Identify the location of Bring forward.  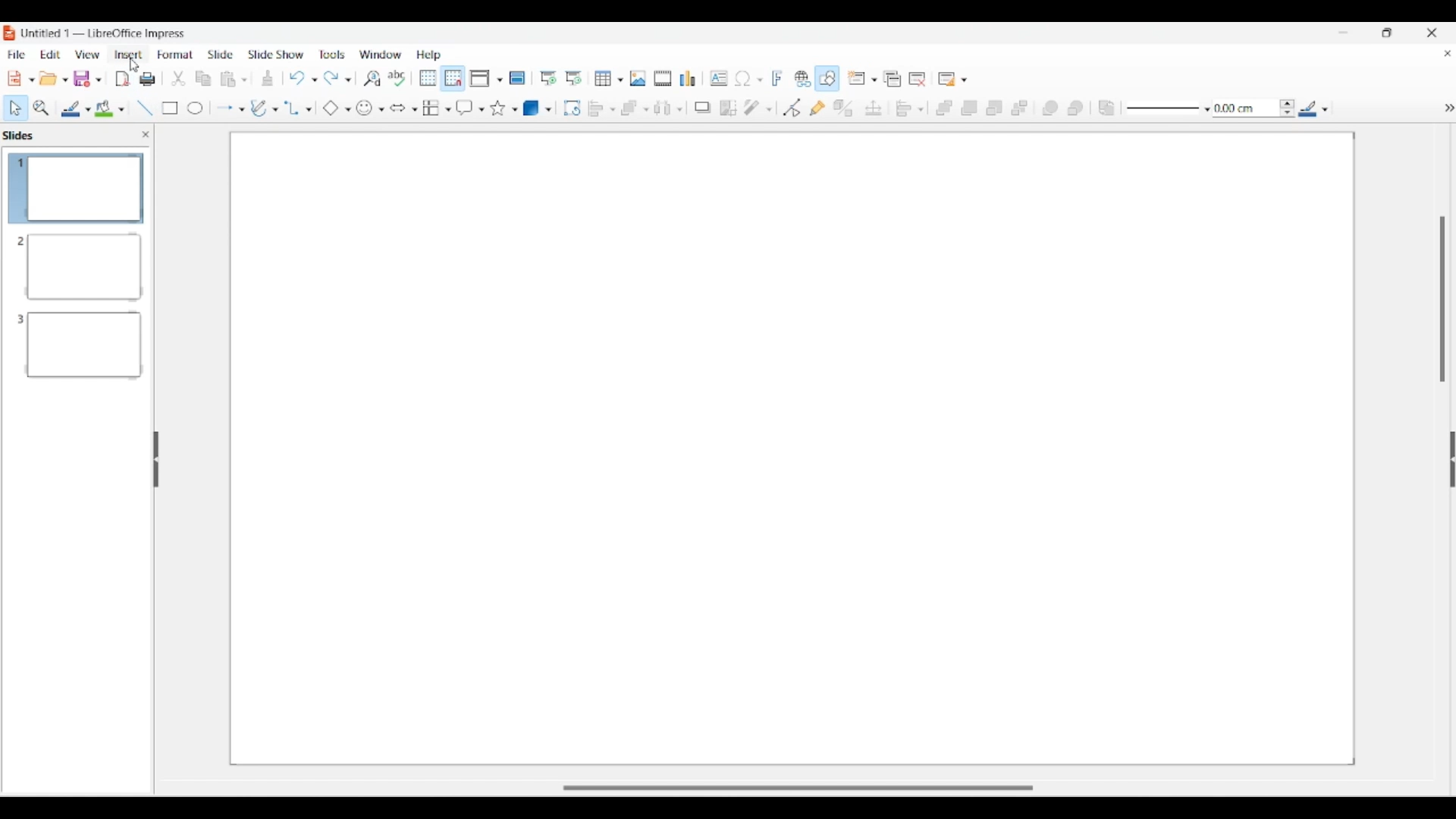
(970, 108).